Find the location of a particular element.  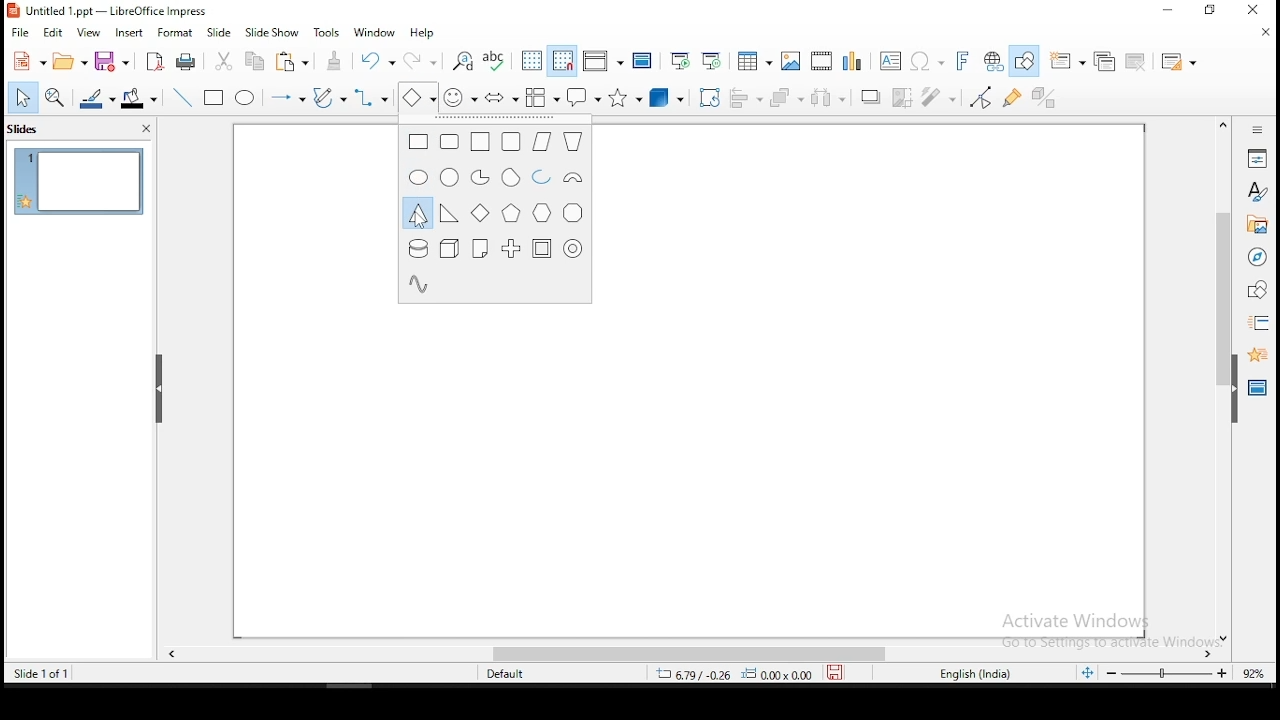

save is located at coordinates (115, 61).